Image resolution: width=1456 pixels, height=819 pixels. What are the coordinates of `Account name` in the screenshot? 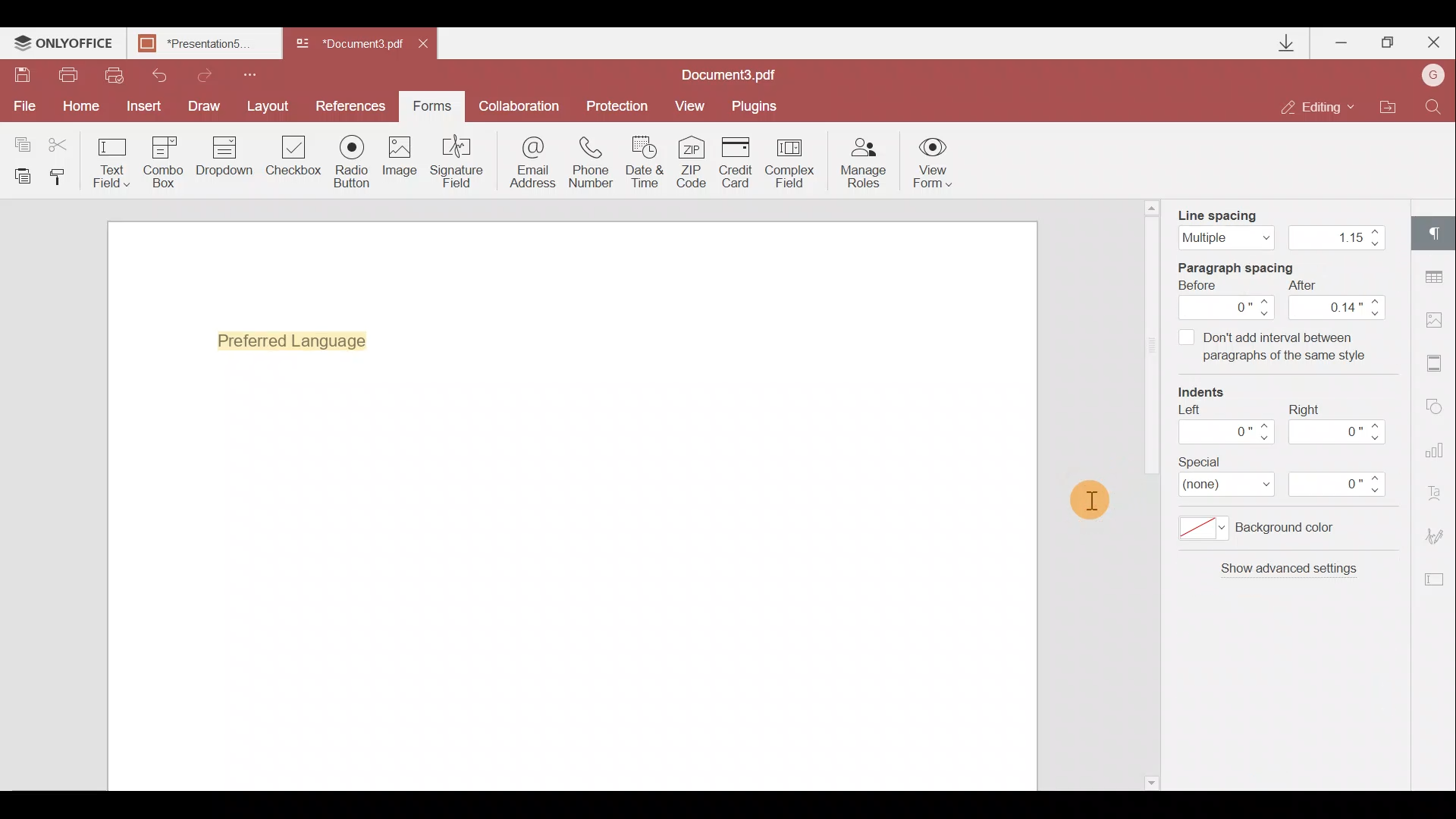 It's located at (1429, 77).